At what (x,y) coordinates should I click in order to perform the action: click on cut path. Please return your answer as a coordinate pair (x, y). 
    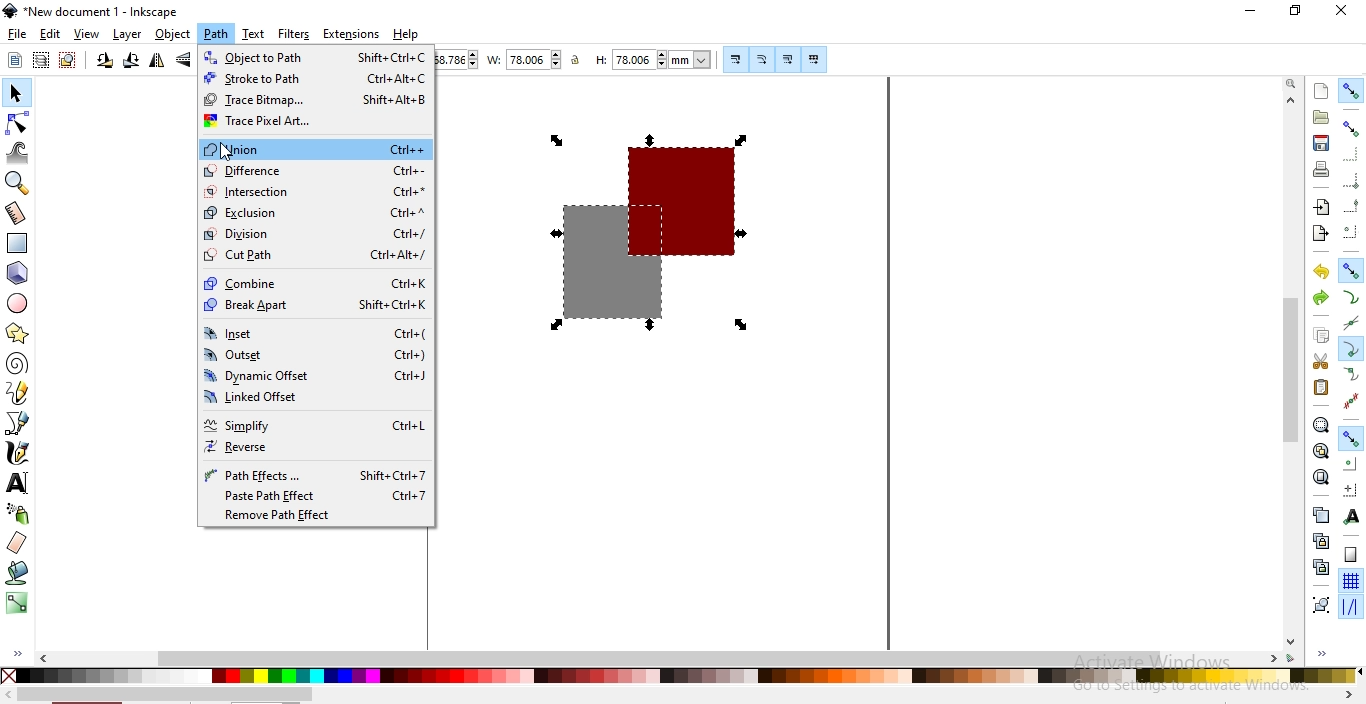
    Looking at the image, I should click on (312, 254).